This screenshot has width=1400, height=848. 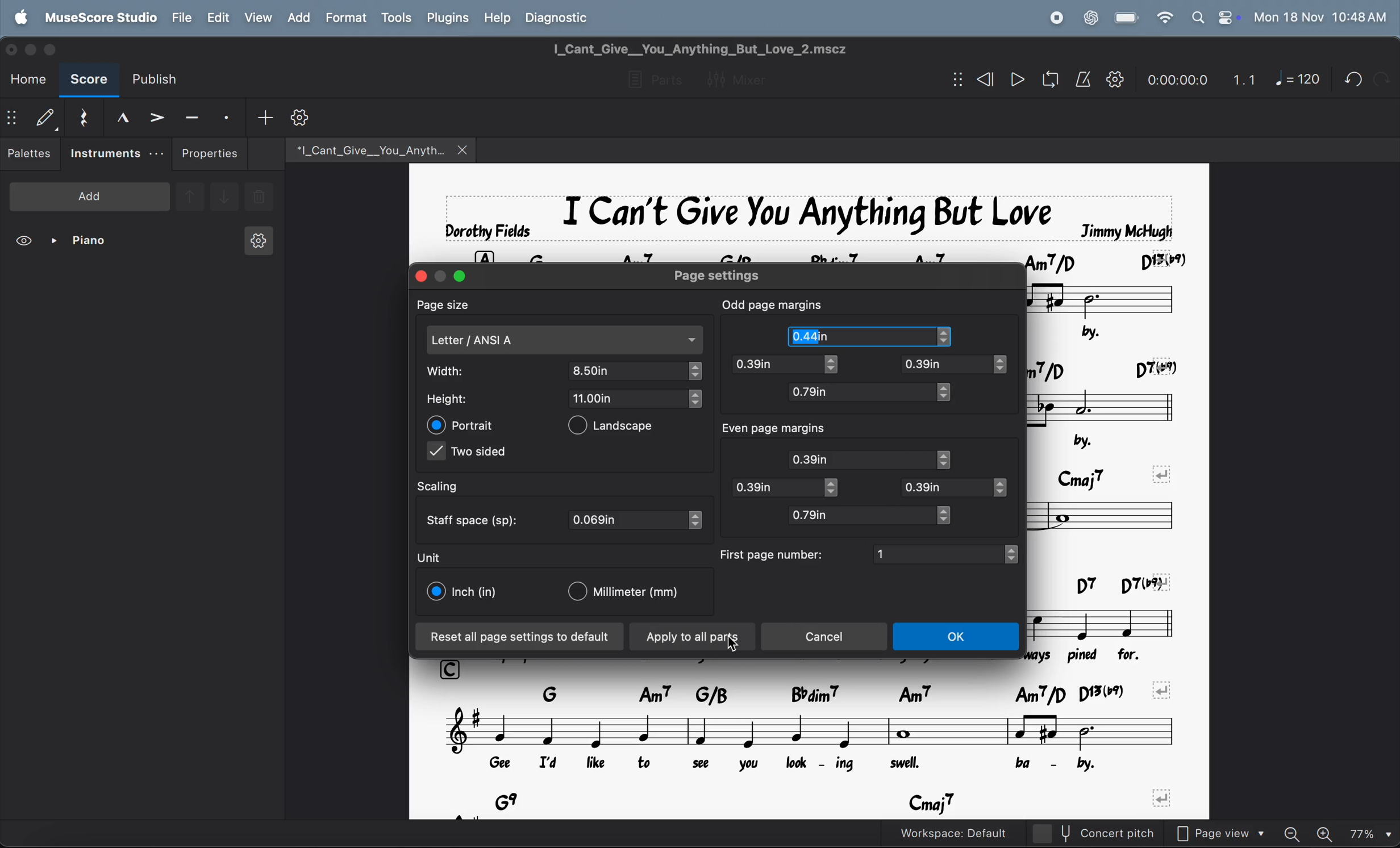 I want to click on maximize, so click(x=56, y=49).